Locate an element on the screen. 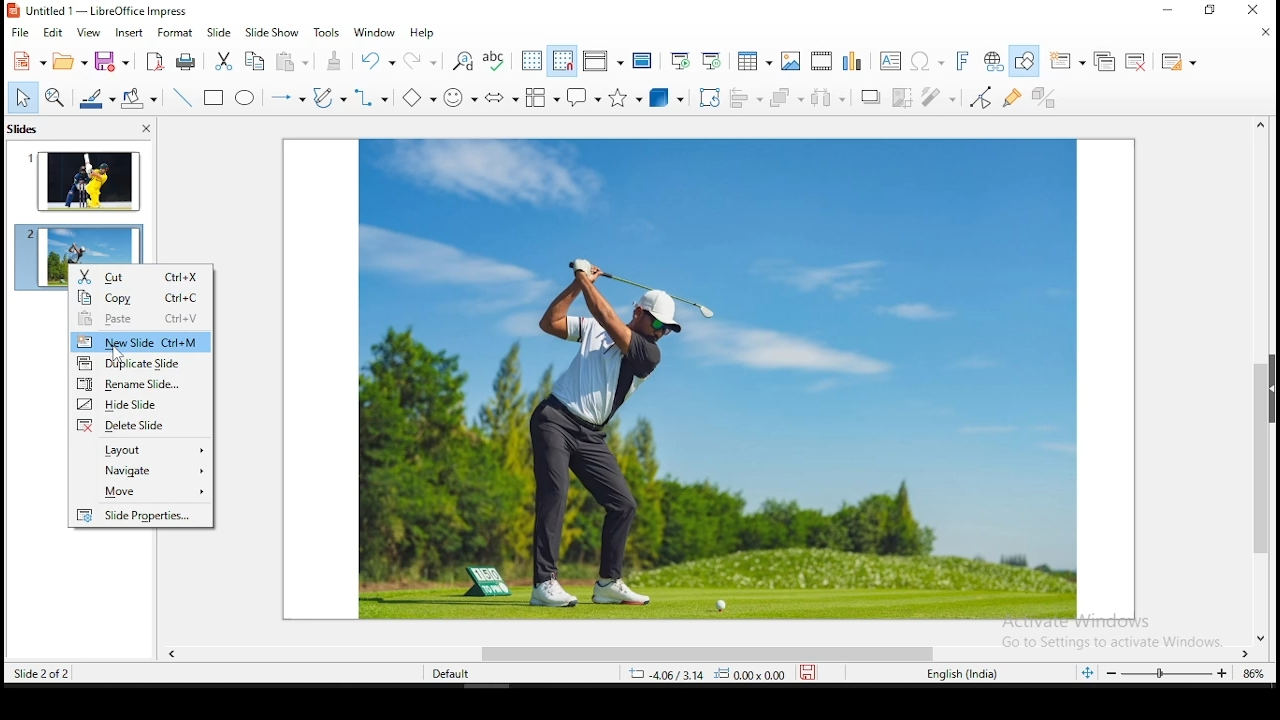  slide 2 of 2 is located at coordinates (46, 673).